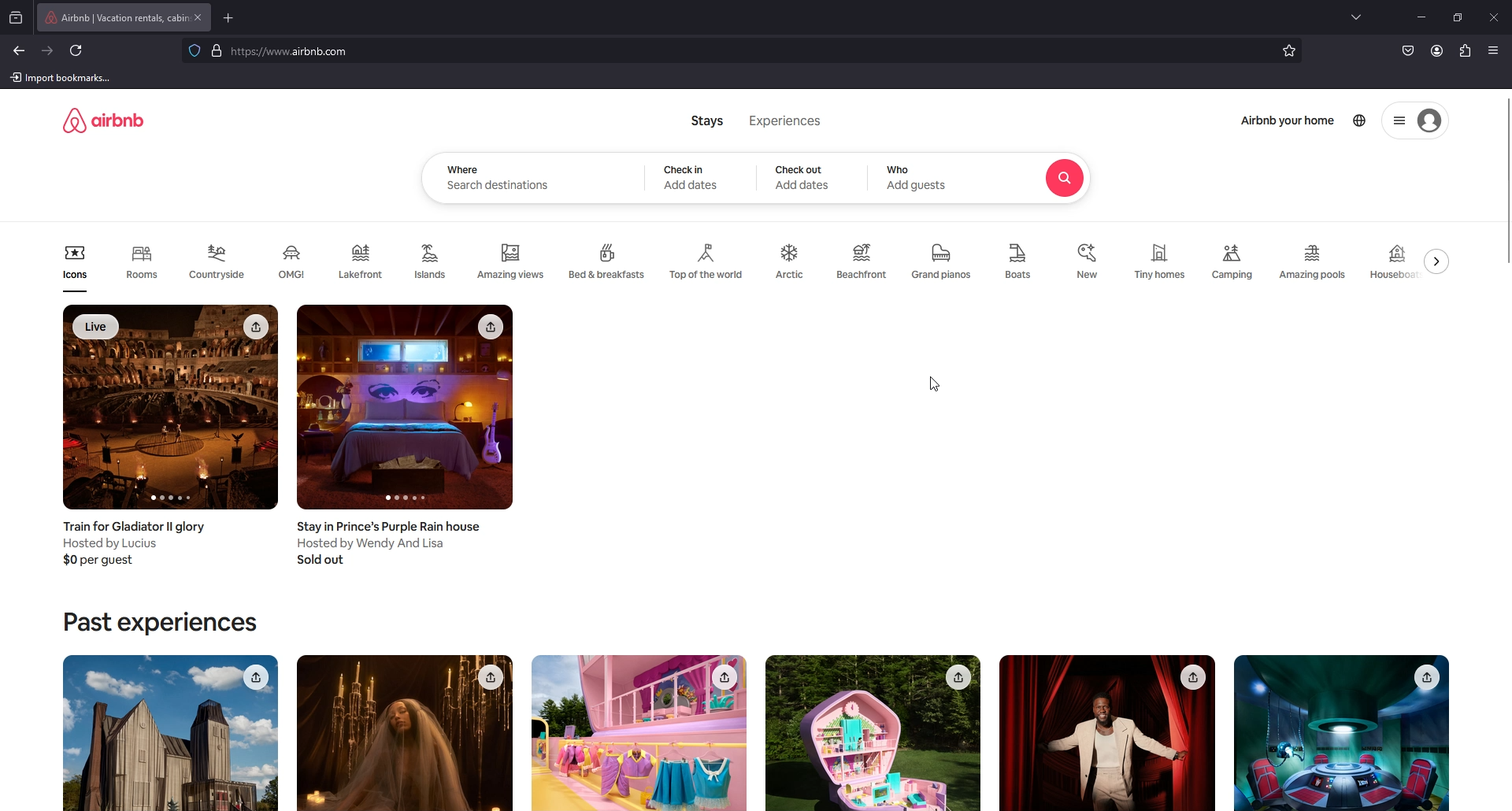  What do you see at coordinates (1440, 261) in the screenshot?
I see `swipe to right` at bounding box center [1440, 261].